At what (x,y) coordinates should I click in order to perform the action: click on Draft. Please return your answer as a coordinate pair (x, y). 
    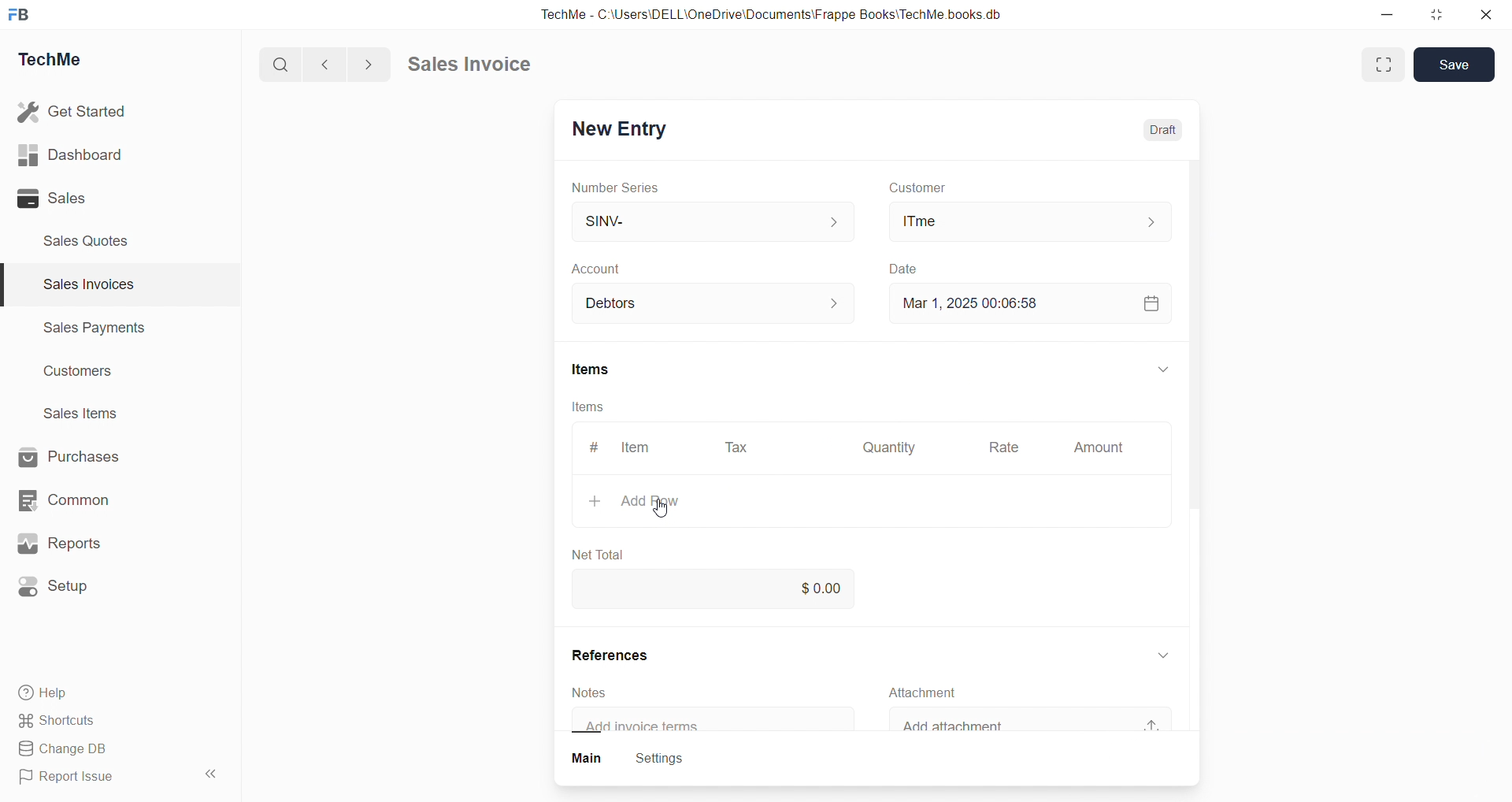
    Looking at the image, I should click on (1169, 132).